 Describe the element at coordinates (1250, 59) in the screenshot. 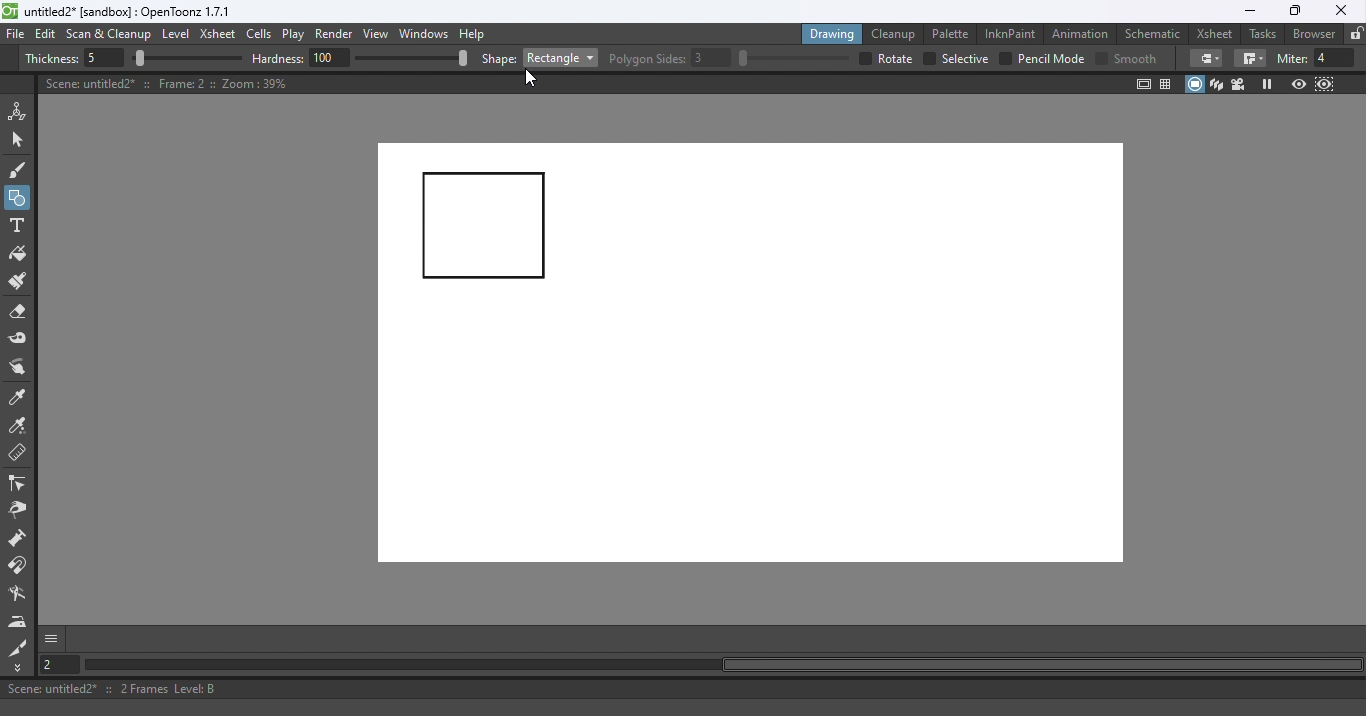

I see `Border corners` at that location.